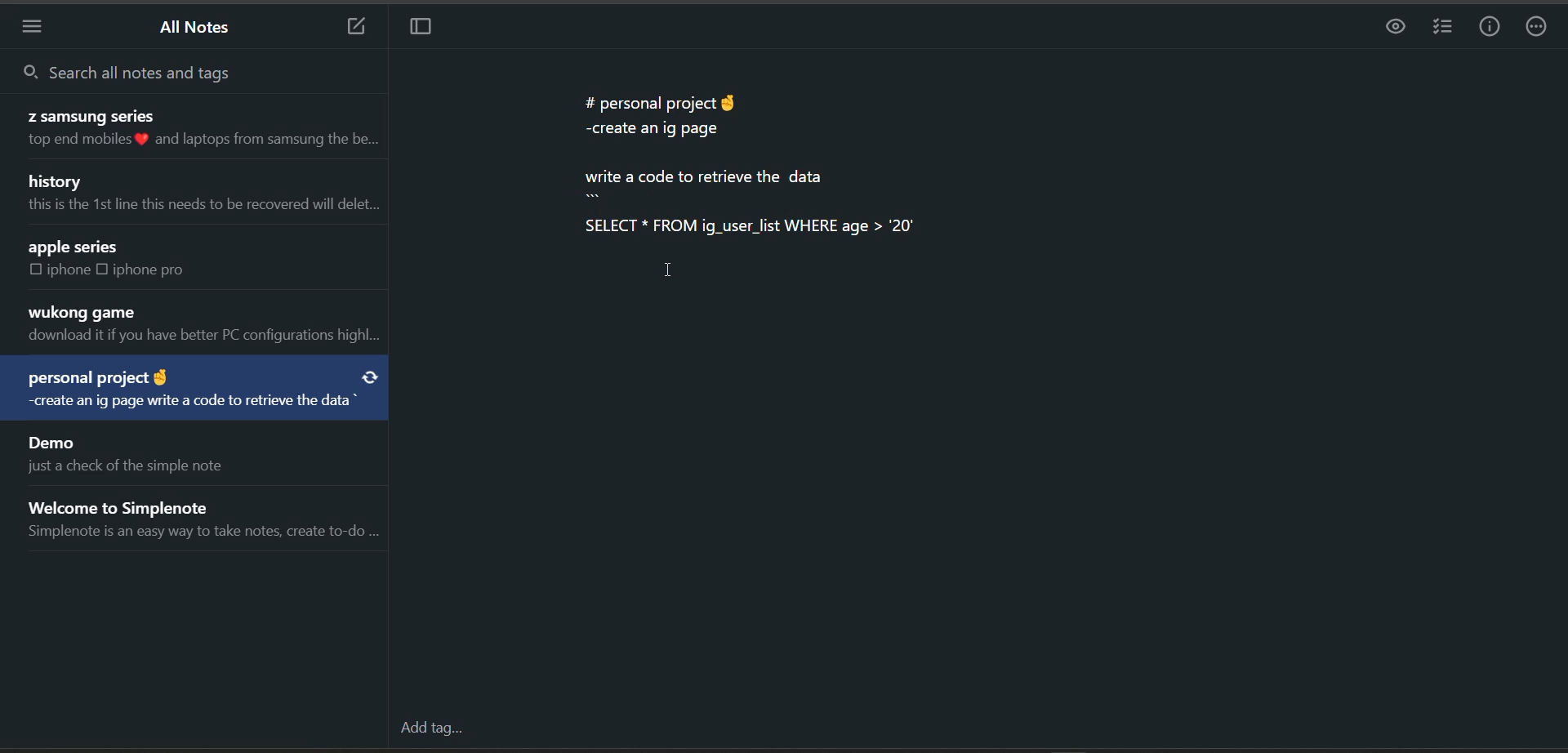 The image size is (1568, 753). Describe the element at coordinates (348, 28) in the screenshot. I see `add new note` at that location.